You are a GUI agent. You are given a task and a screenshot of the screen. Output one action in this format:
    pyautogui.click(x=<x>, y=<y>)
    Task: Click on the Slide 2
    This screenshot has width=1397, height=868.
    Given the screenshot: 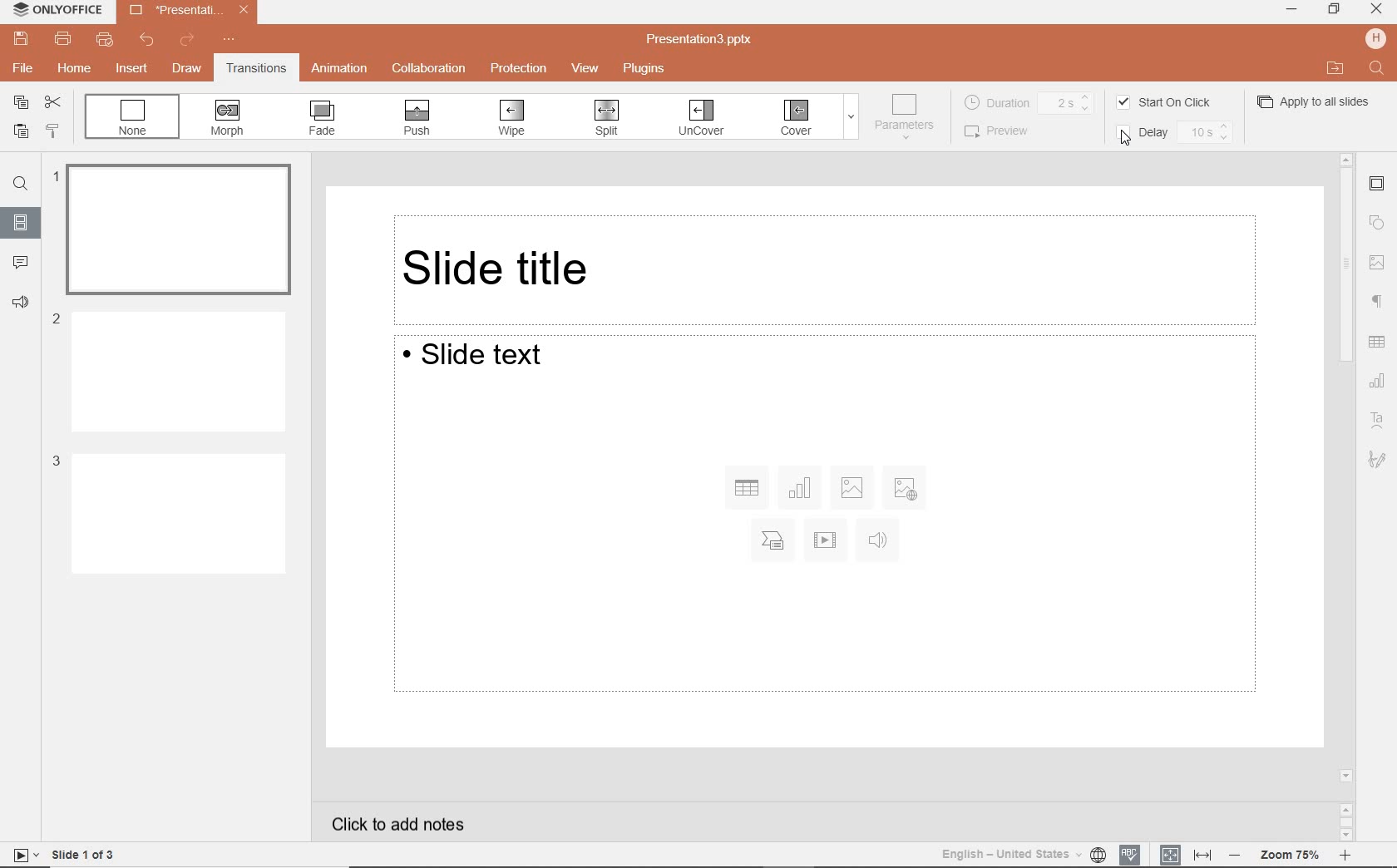 What is the action you would take?
    pyautogui.click(x=169, y=369)
    